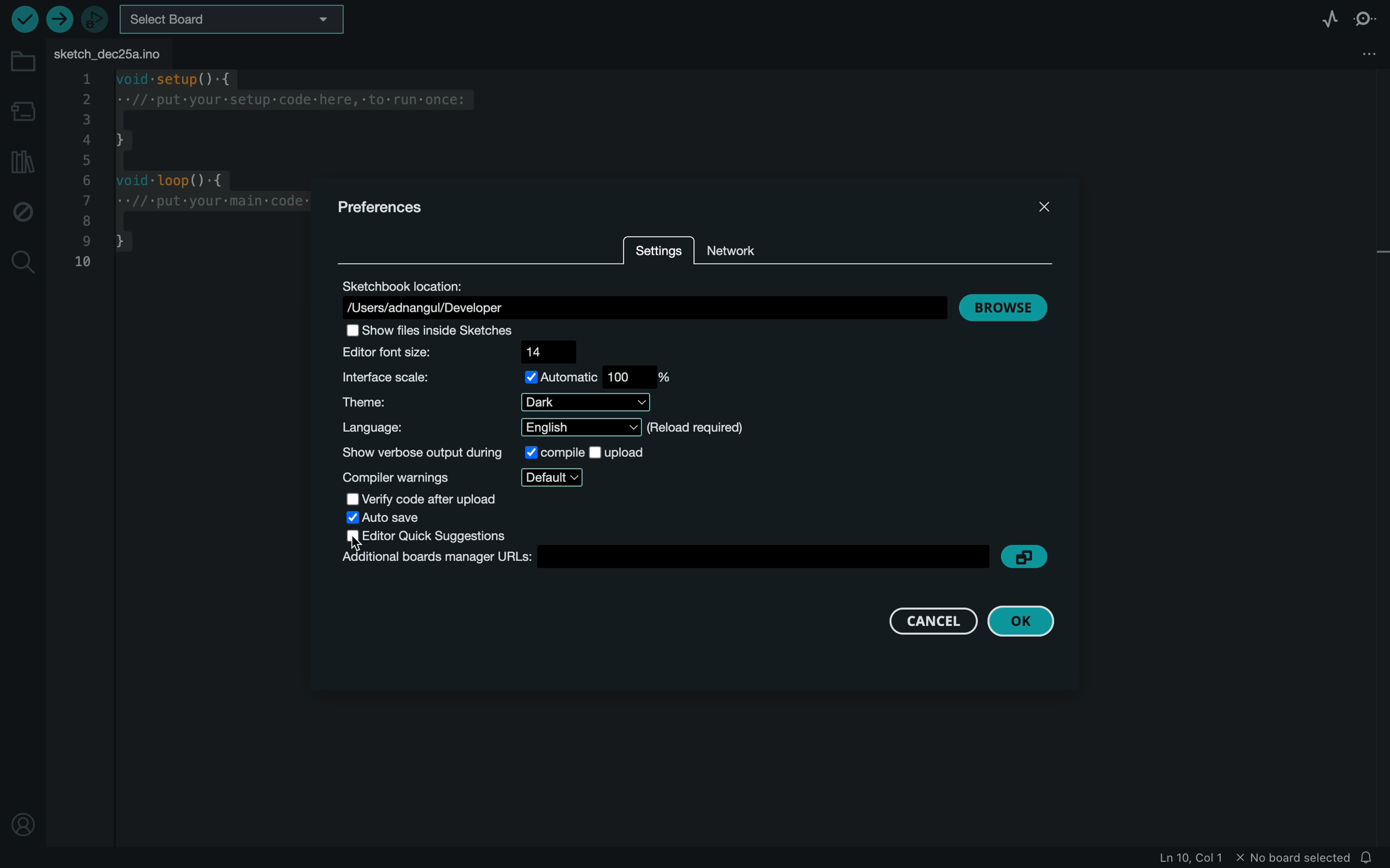 The width and height of the screenshot is (1390, 868). Describe the element at coordinates (22, 19) in the screenshot. I see `verify` at that location.